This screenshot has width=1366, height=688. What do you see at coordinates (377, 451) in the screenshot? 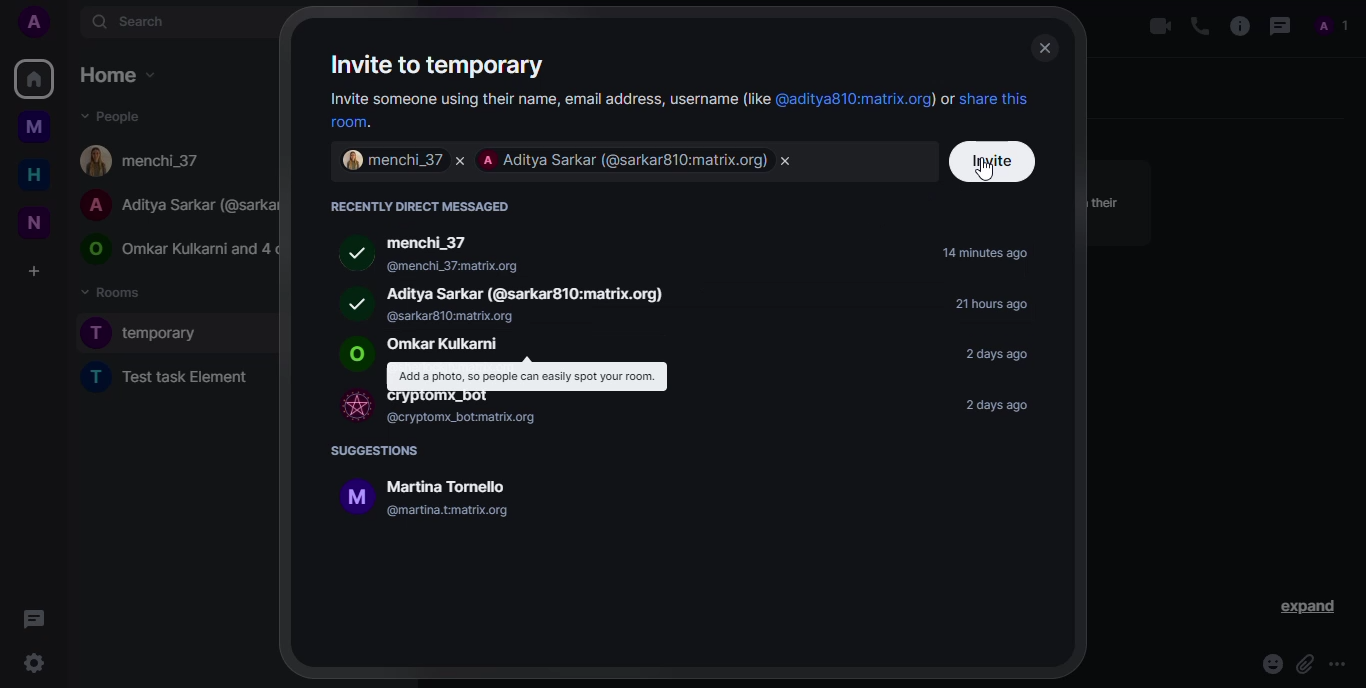
I see `suggestions` at bounding box center [377, 451].